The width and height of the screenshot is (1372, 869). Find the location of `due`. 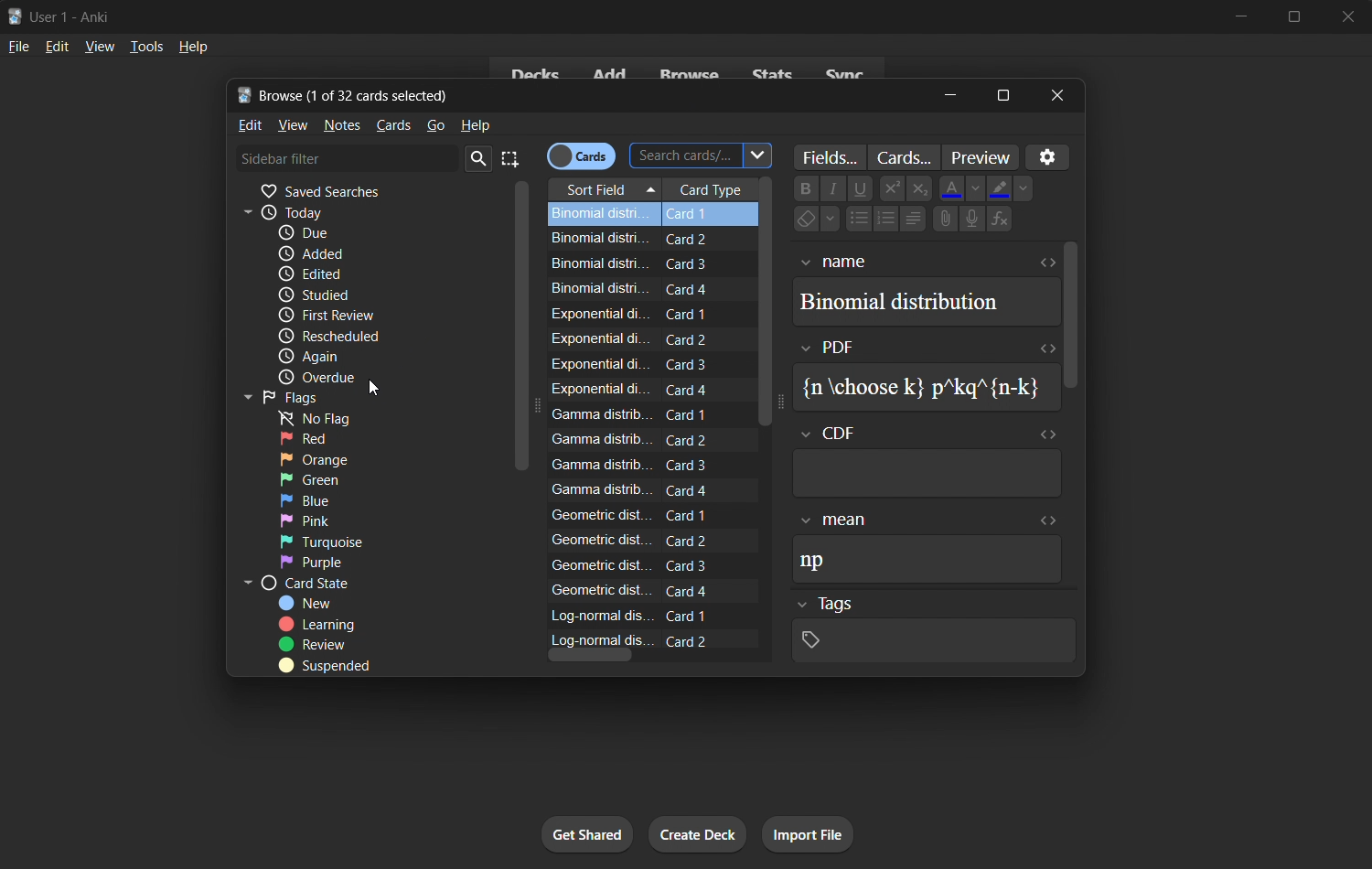

due is located at coordinates (365, 232).